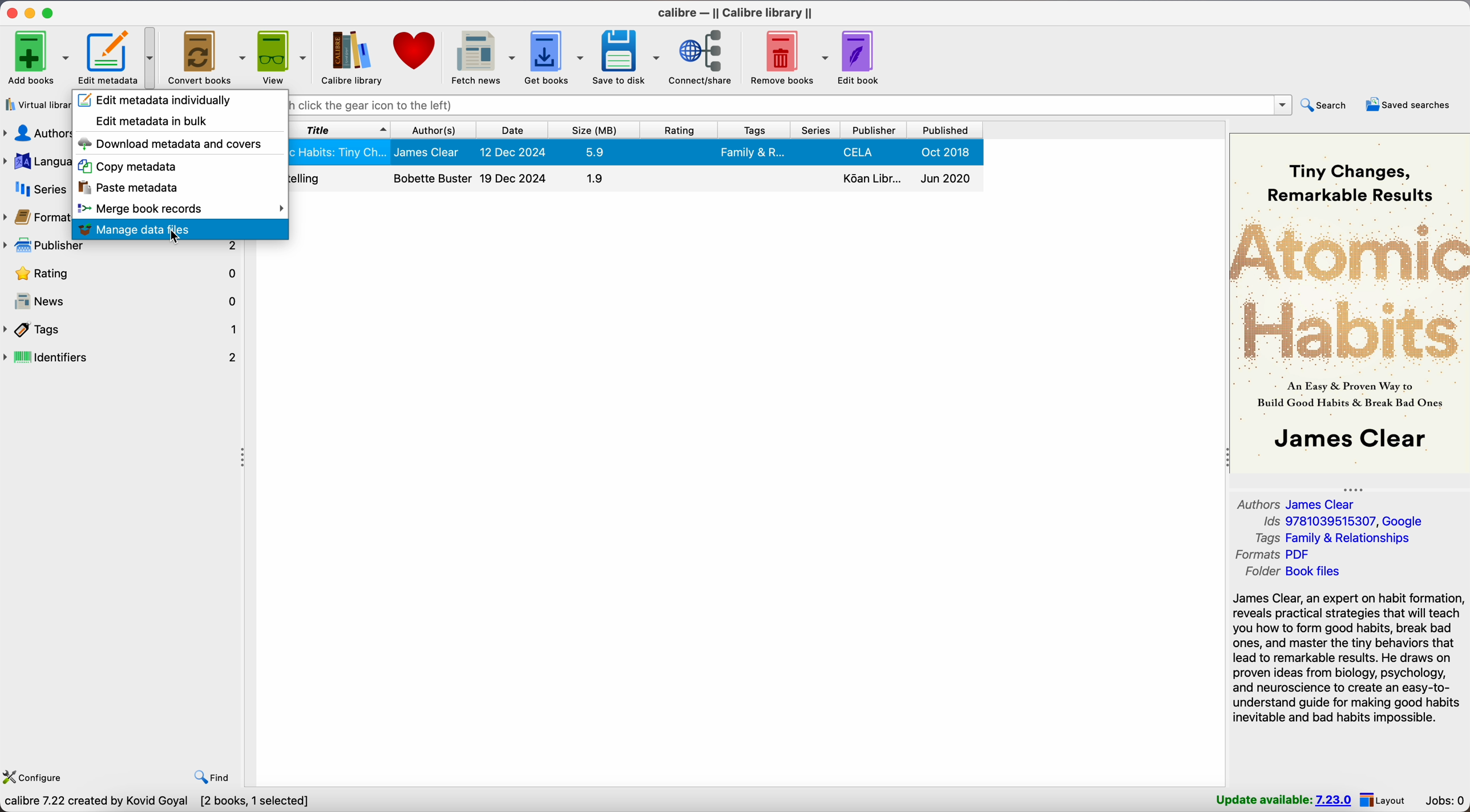 This screenshot has width=1470, height=812. I want to click on languages, so click(37, 162).